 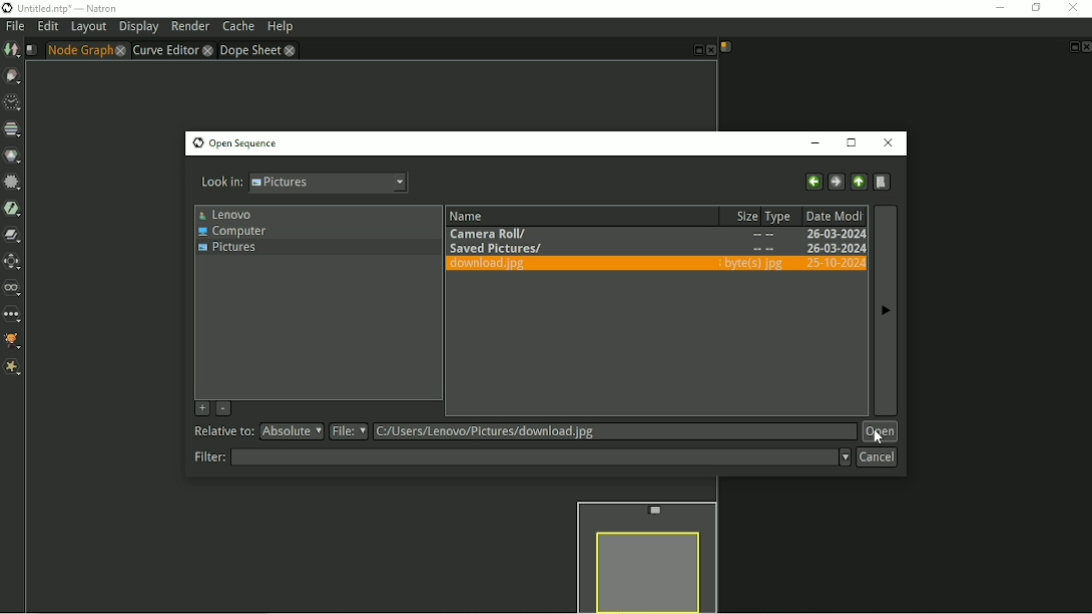 What do you see at coordinates (235, 144) in the screenshot?
I see `Open source` at bounding box center [235, 144].